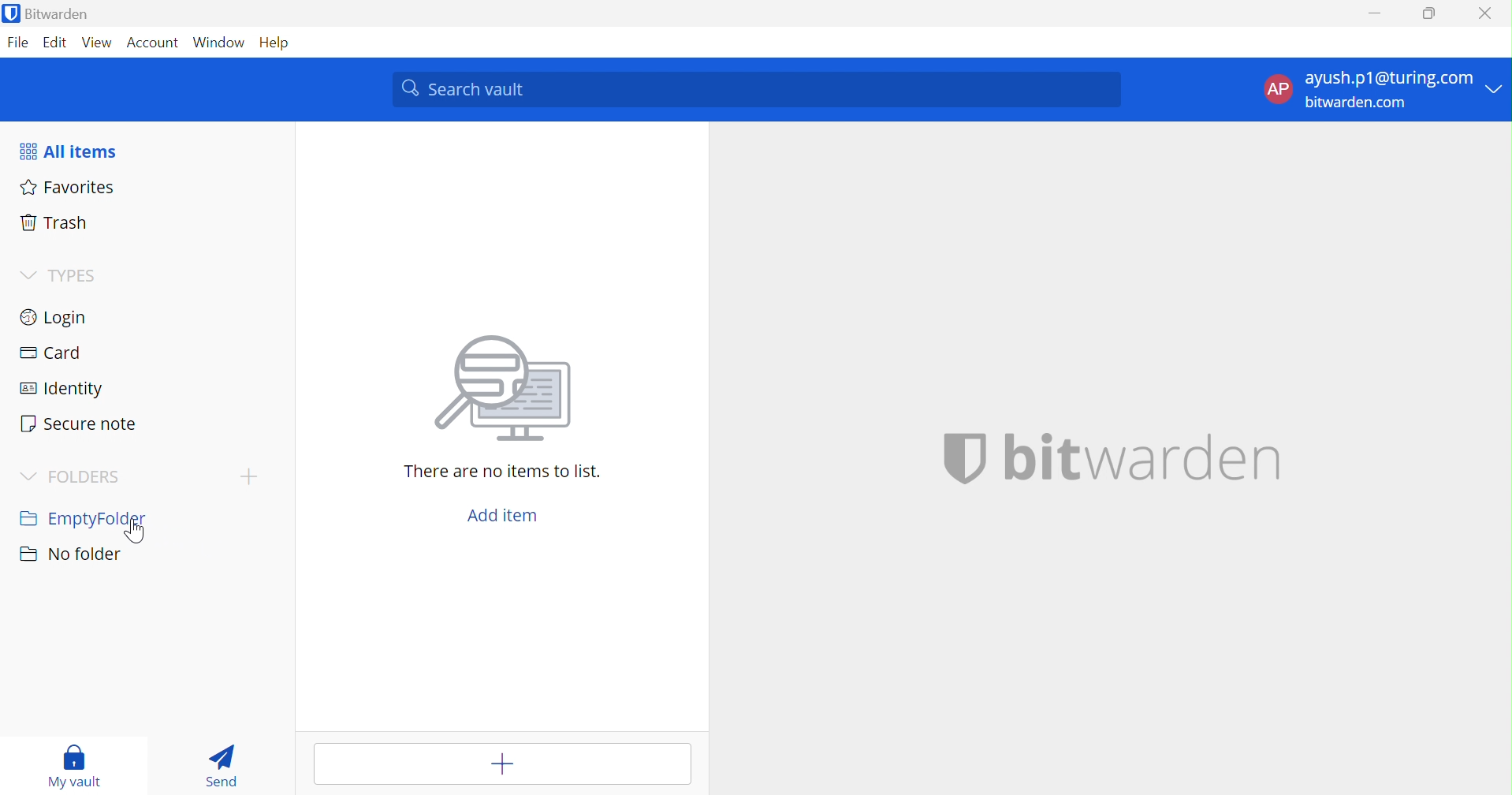 Image resolution: width=1512 pixels, height=795 pixels. What do you see at coordinates (949, 458) in the screenshot?
I see `bitwarden logo` at bounding box center [949, 458].